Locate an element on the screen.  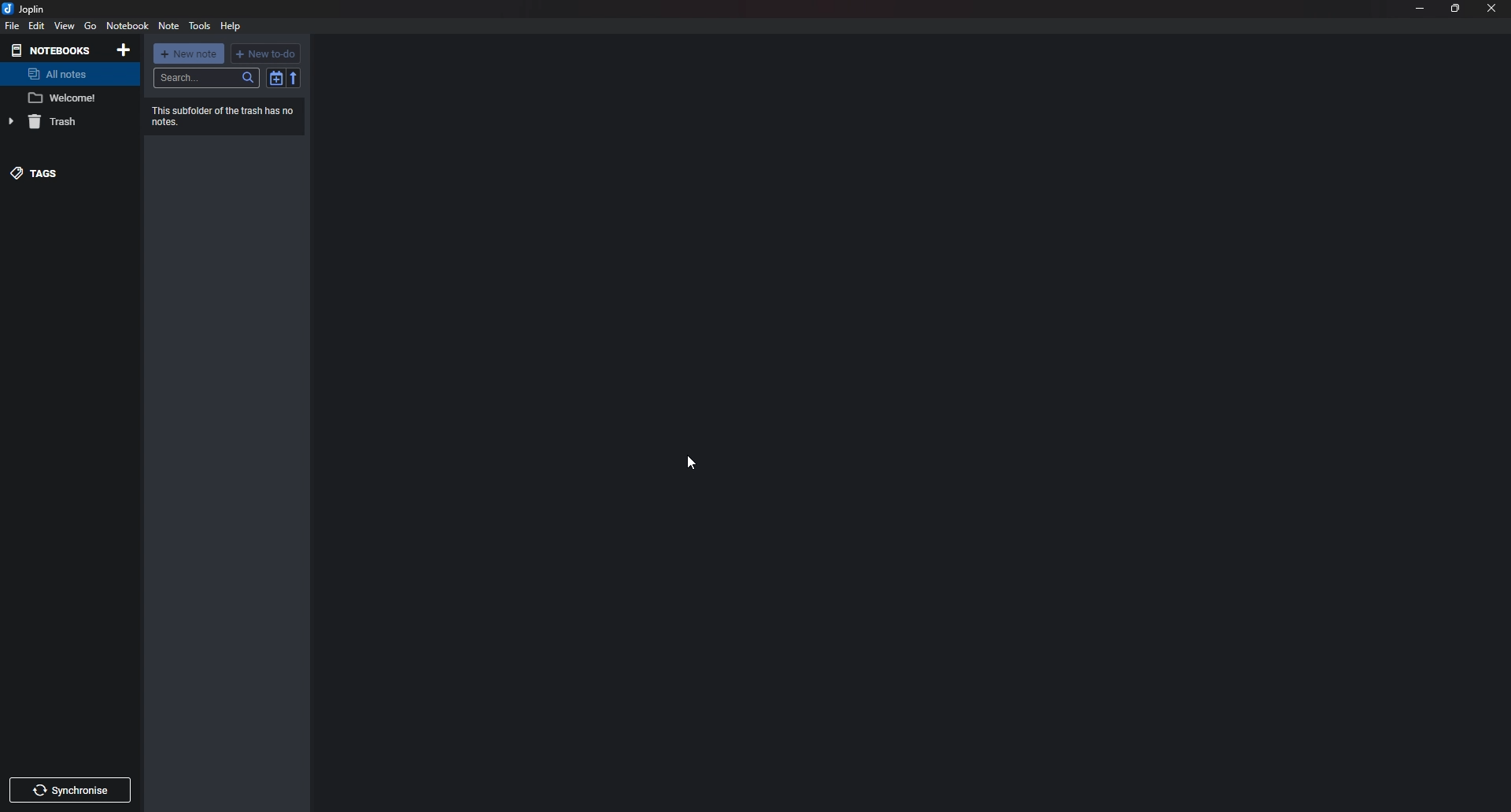
info is located at coordinates (227, 115).